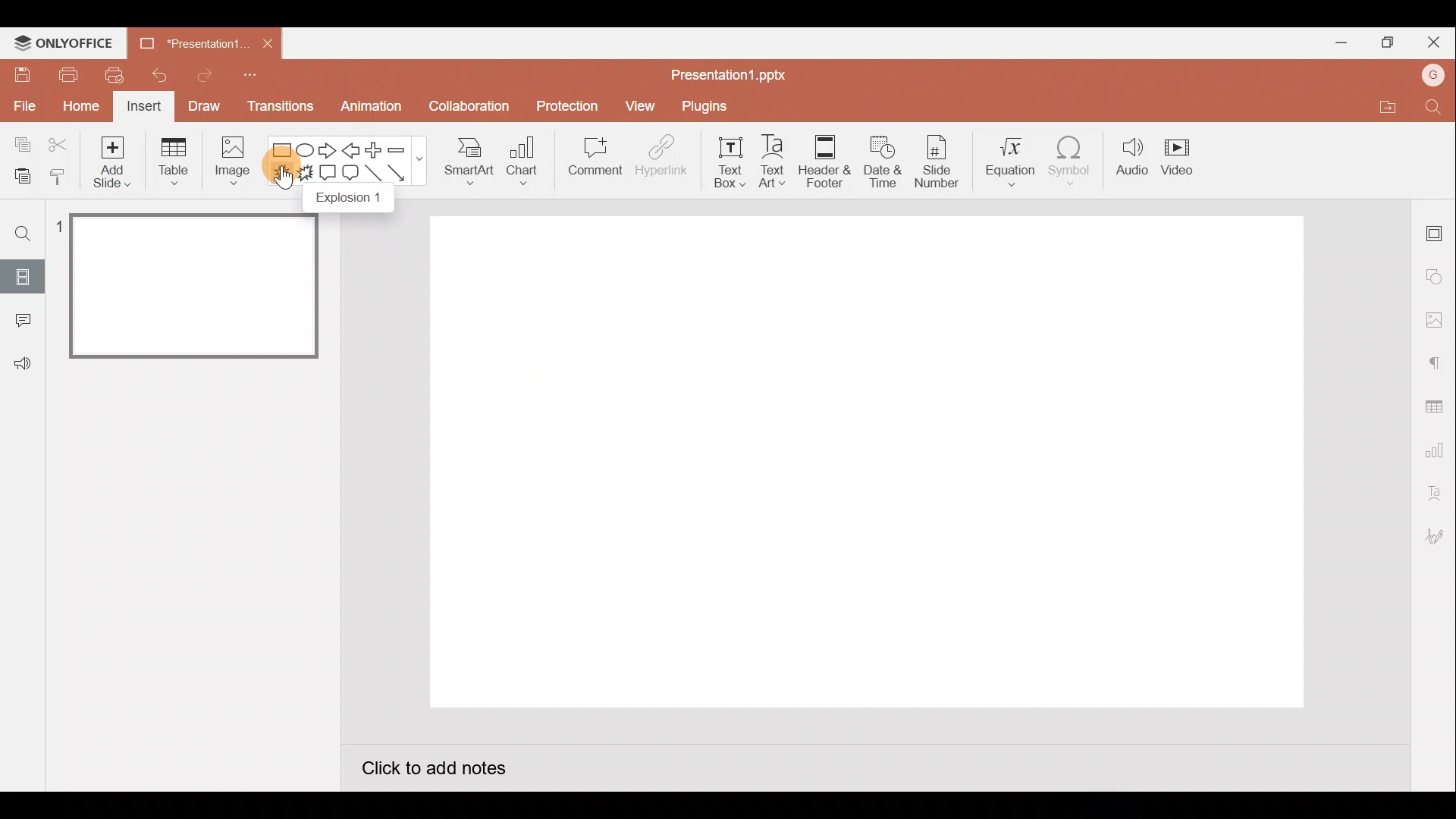 Image resolution: width=1456 pixels, height=819 pixels. I want to click on Explosion 1, so click(279, 175).